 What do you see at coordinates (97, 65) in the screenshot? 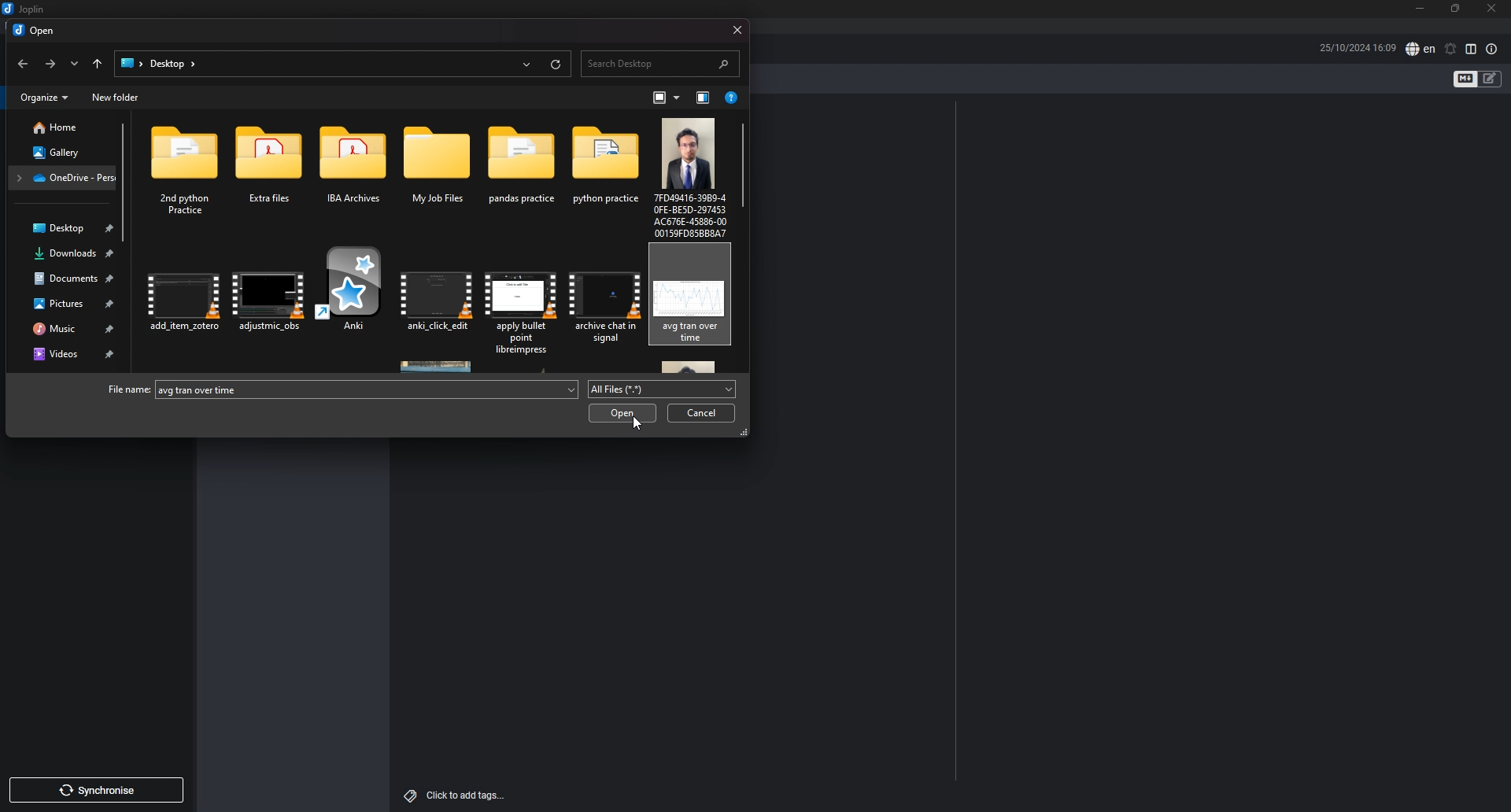
I see `upto desktop` at bounding box center [97, 65].